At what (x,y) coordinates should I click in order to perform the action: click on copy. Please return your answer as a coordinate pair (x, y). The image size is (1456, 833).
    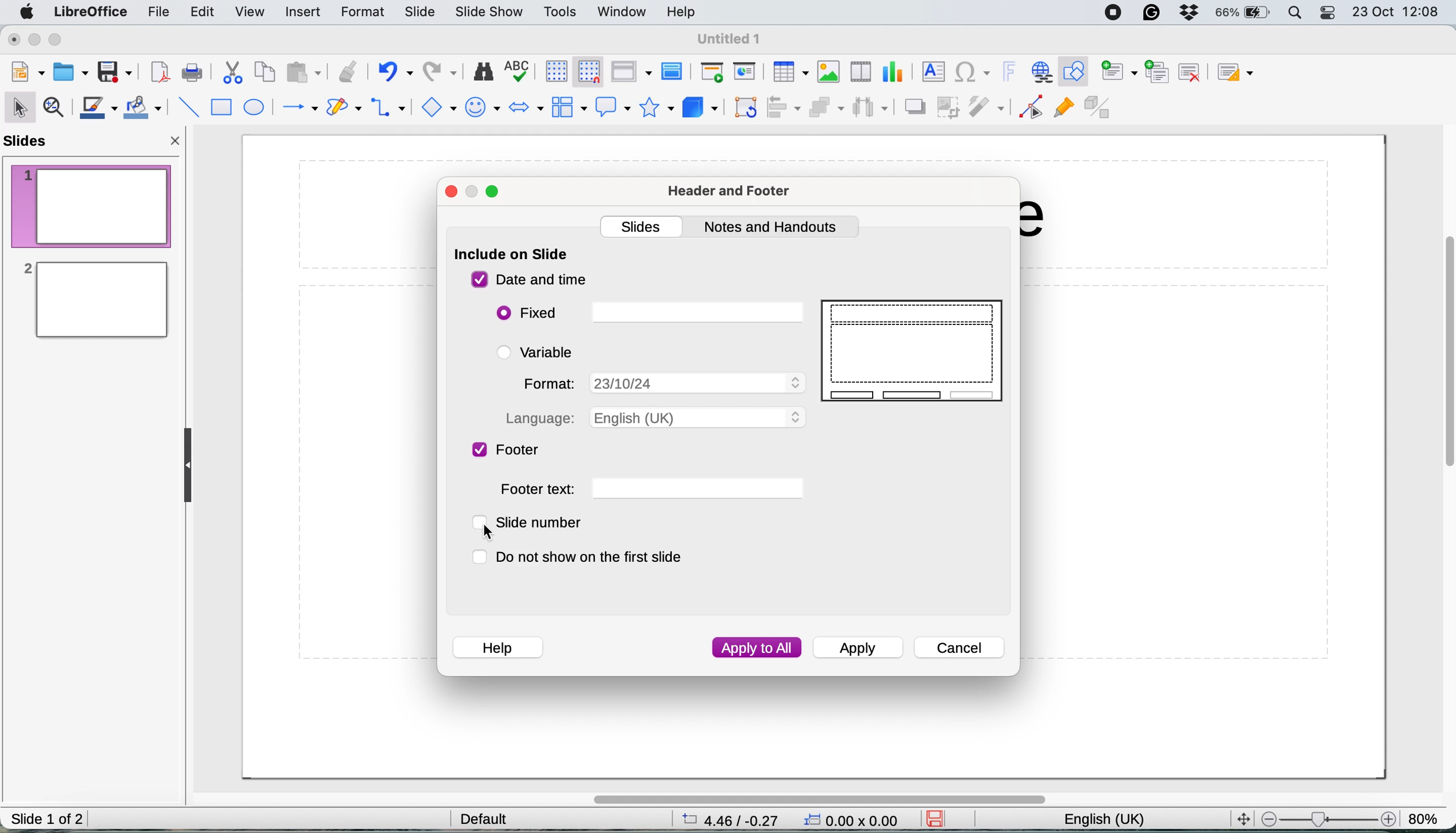
    Looking at the image, I should click on (266, 73).